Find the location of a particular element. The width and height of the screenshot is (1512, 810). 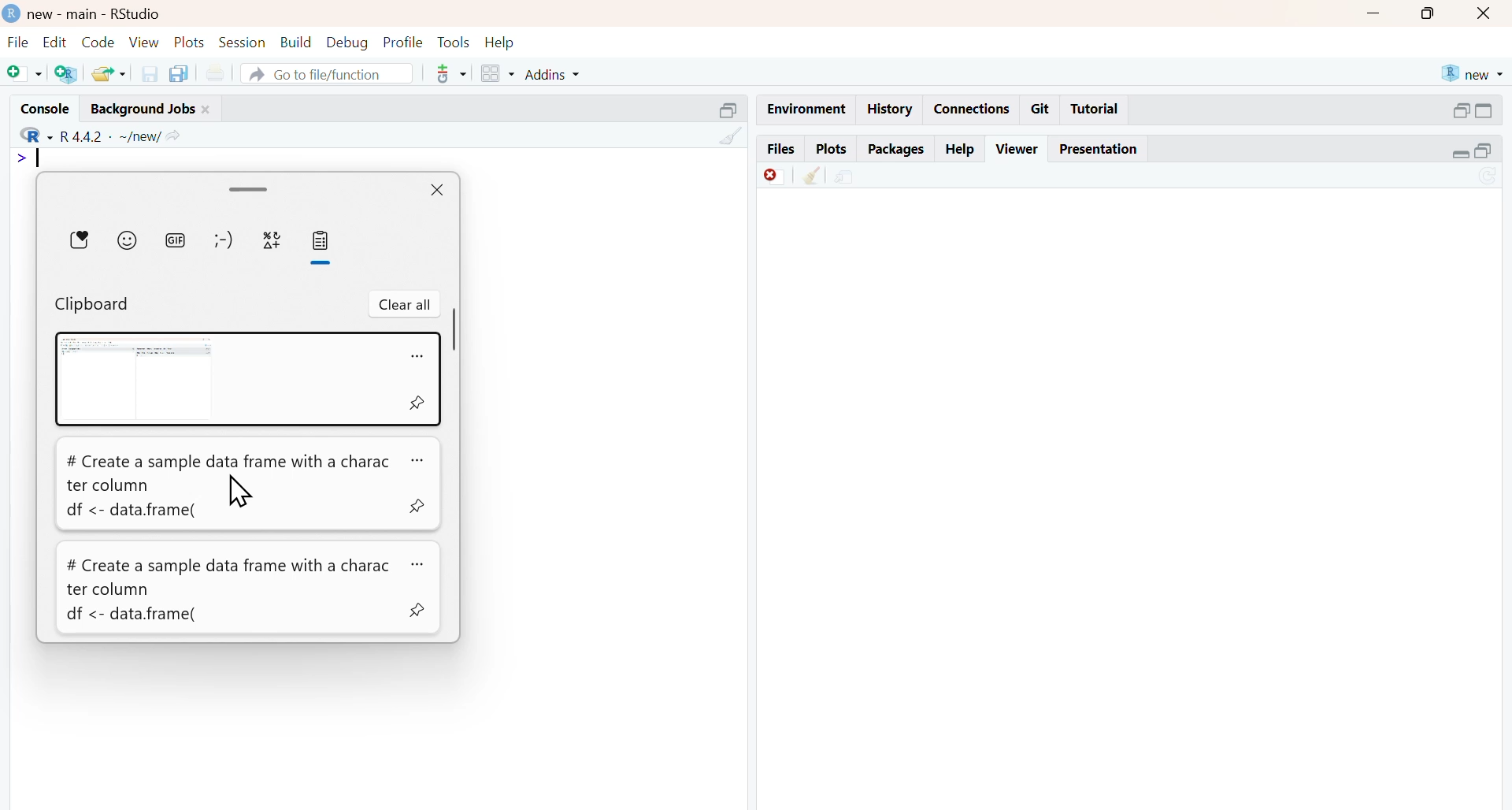

Clipboard  is located at coordinates (93, 306).